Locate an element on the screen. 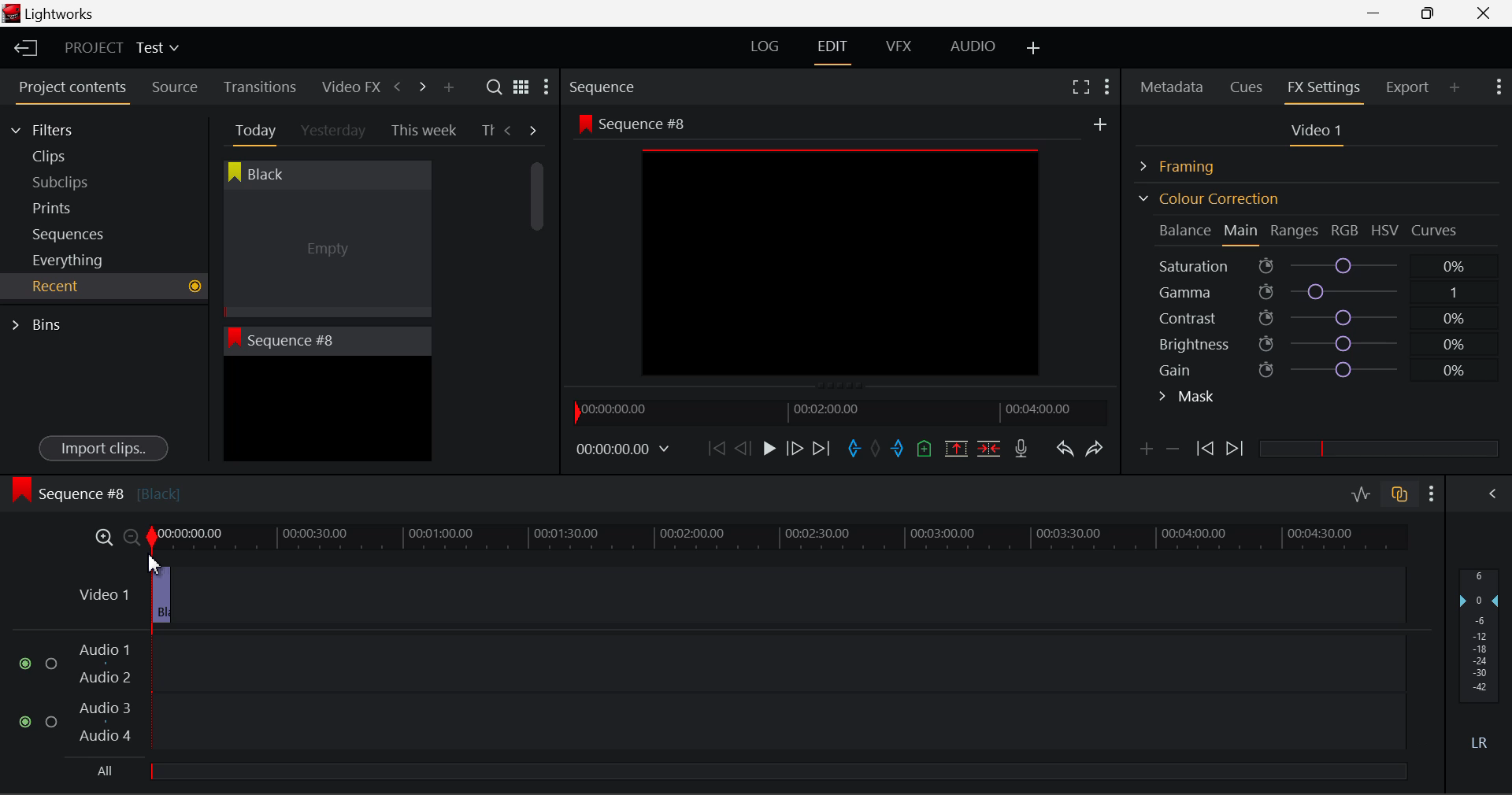  Go Forward is located at coordinates (795, 448).